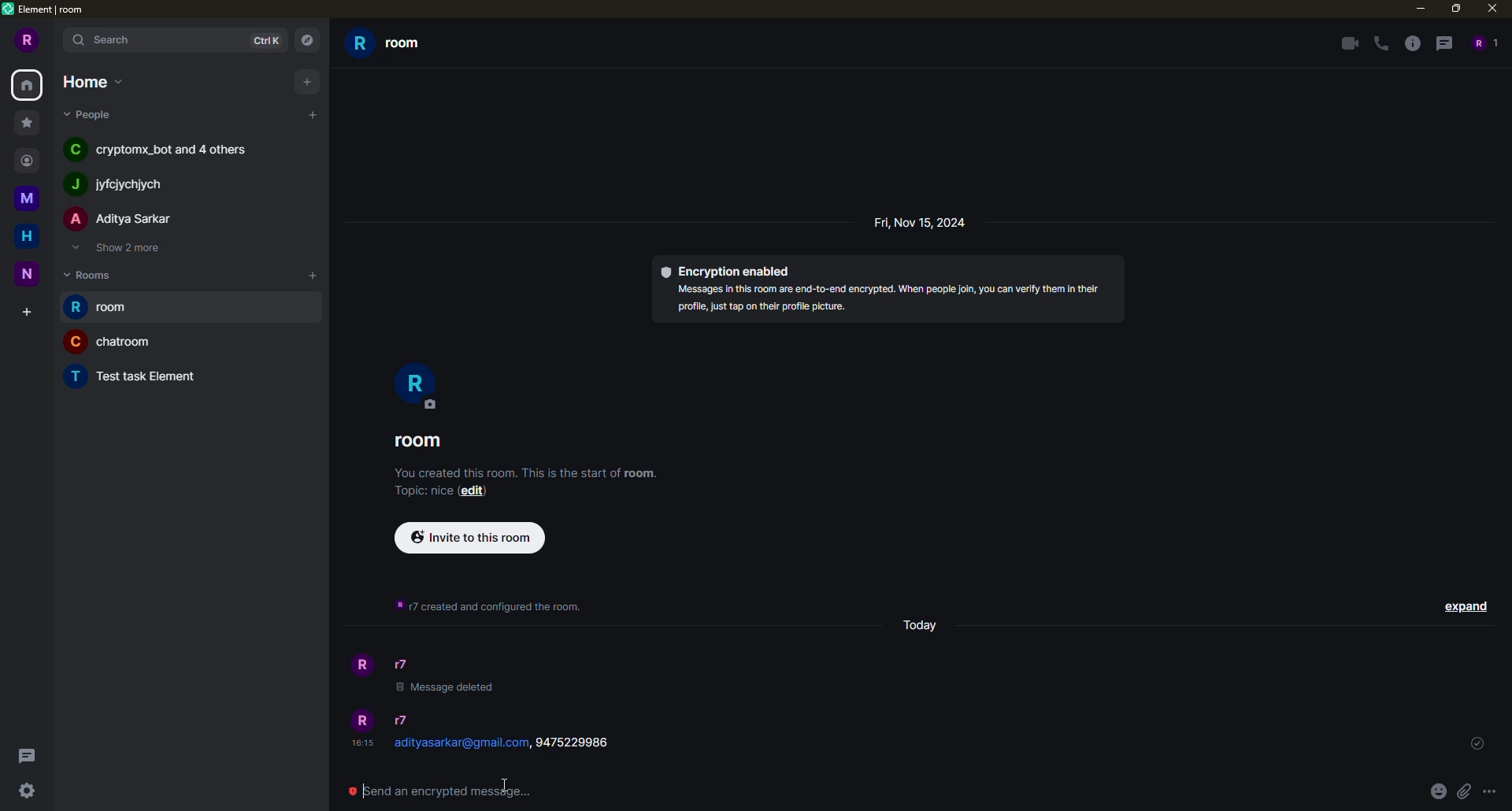 This screenshot has height=811, width=1512. What do you see at coordinates (309, 275) in the screenshot?
I see `add` at bounding box center [309, 275].